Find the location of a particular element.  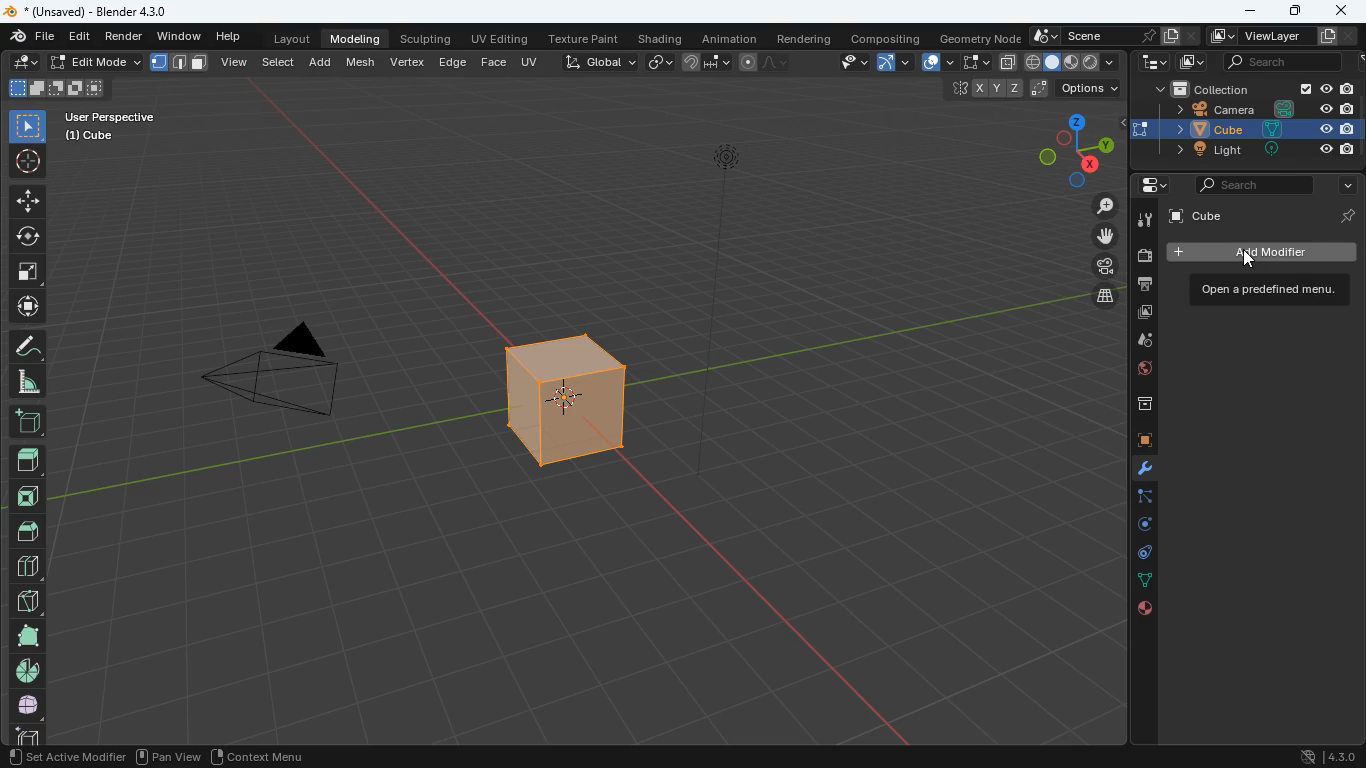

cube is located at coordinates (23, 735).